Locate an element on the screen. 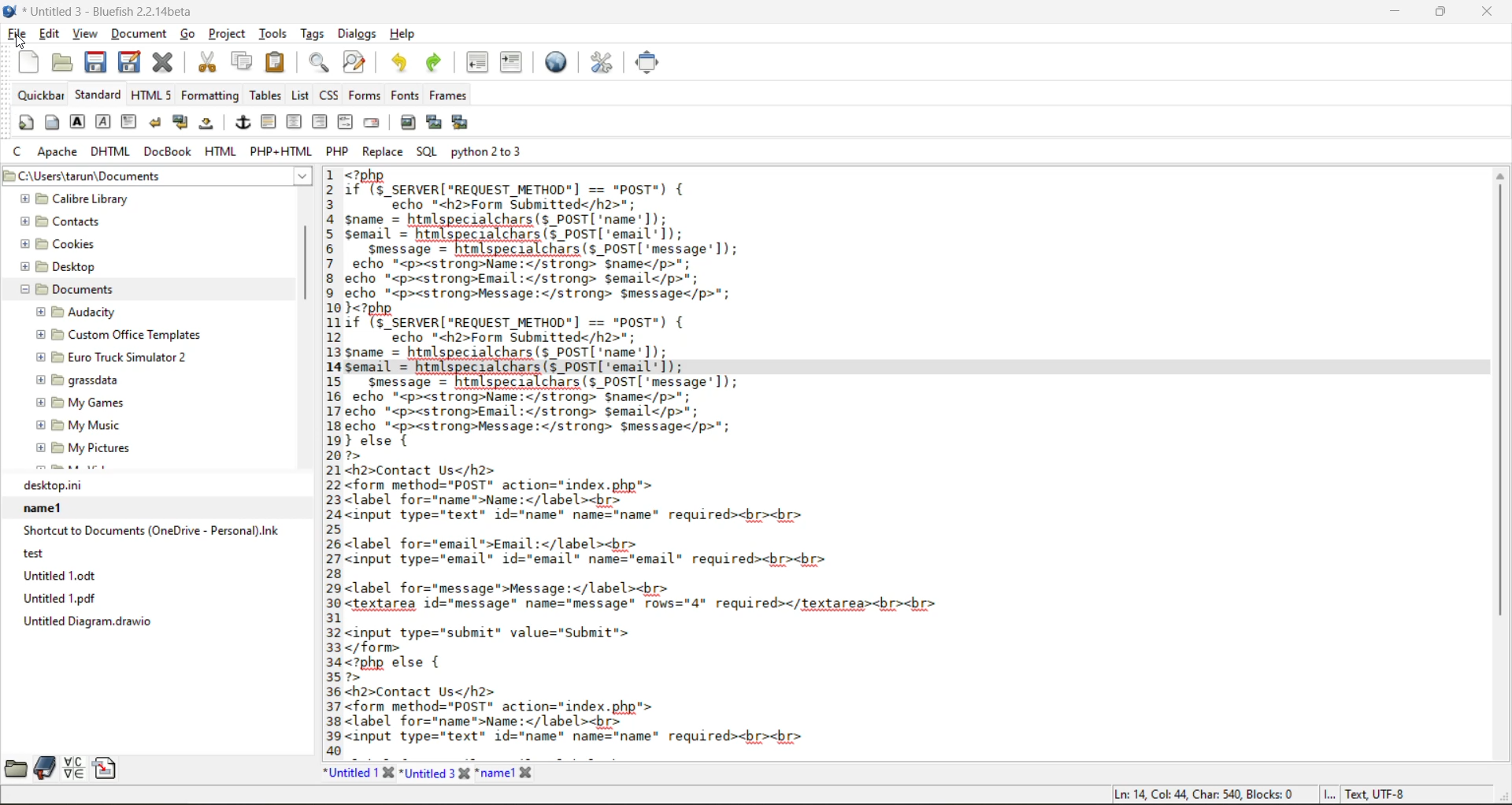 This screenshot has height=805, width=1512. strong is located at coordinates (78, 124).